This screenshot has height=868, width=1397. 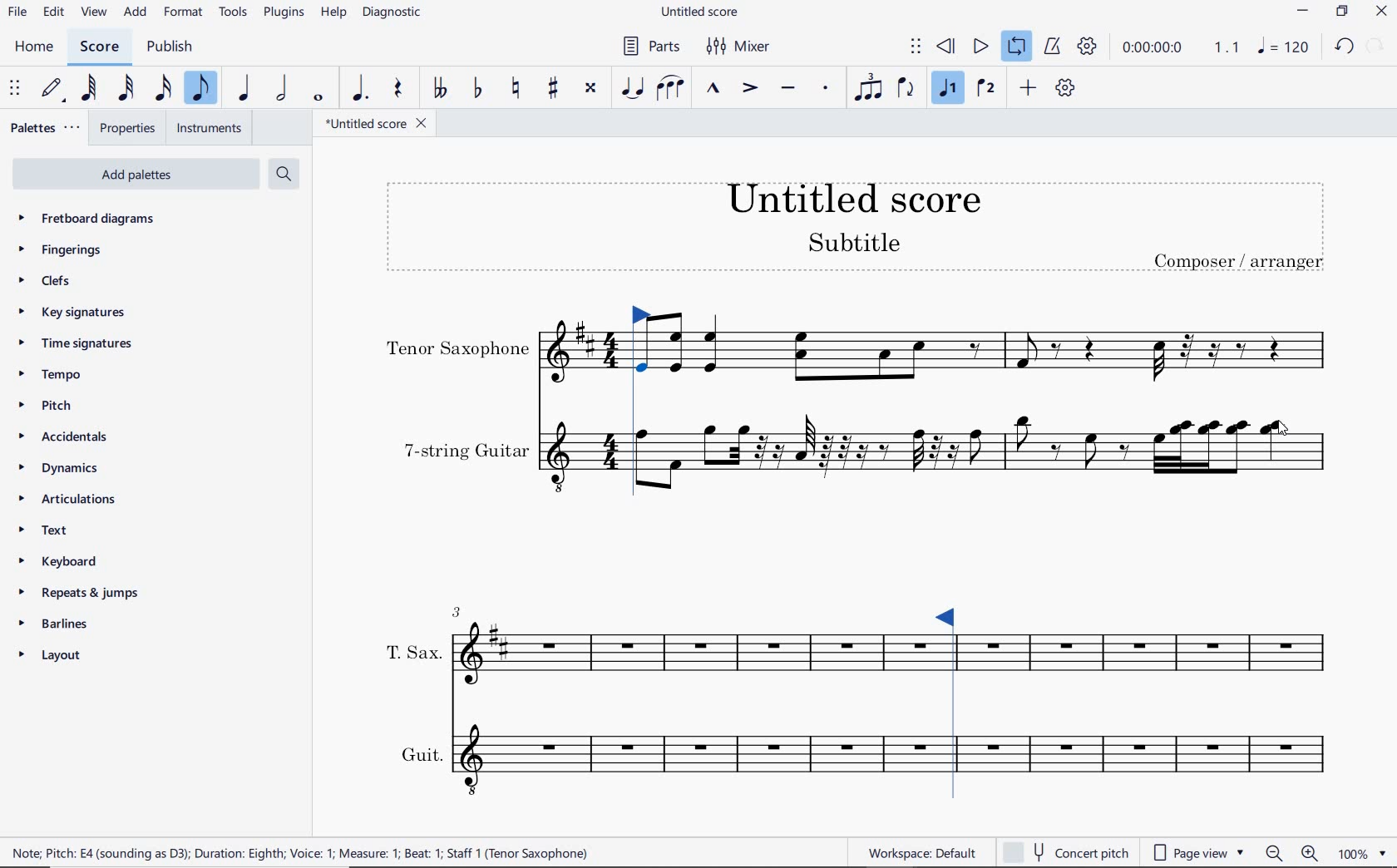 I want to click on 32ND NOTE, so click(x=125, y=88).